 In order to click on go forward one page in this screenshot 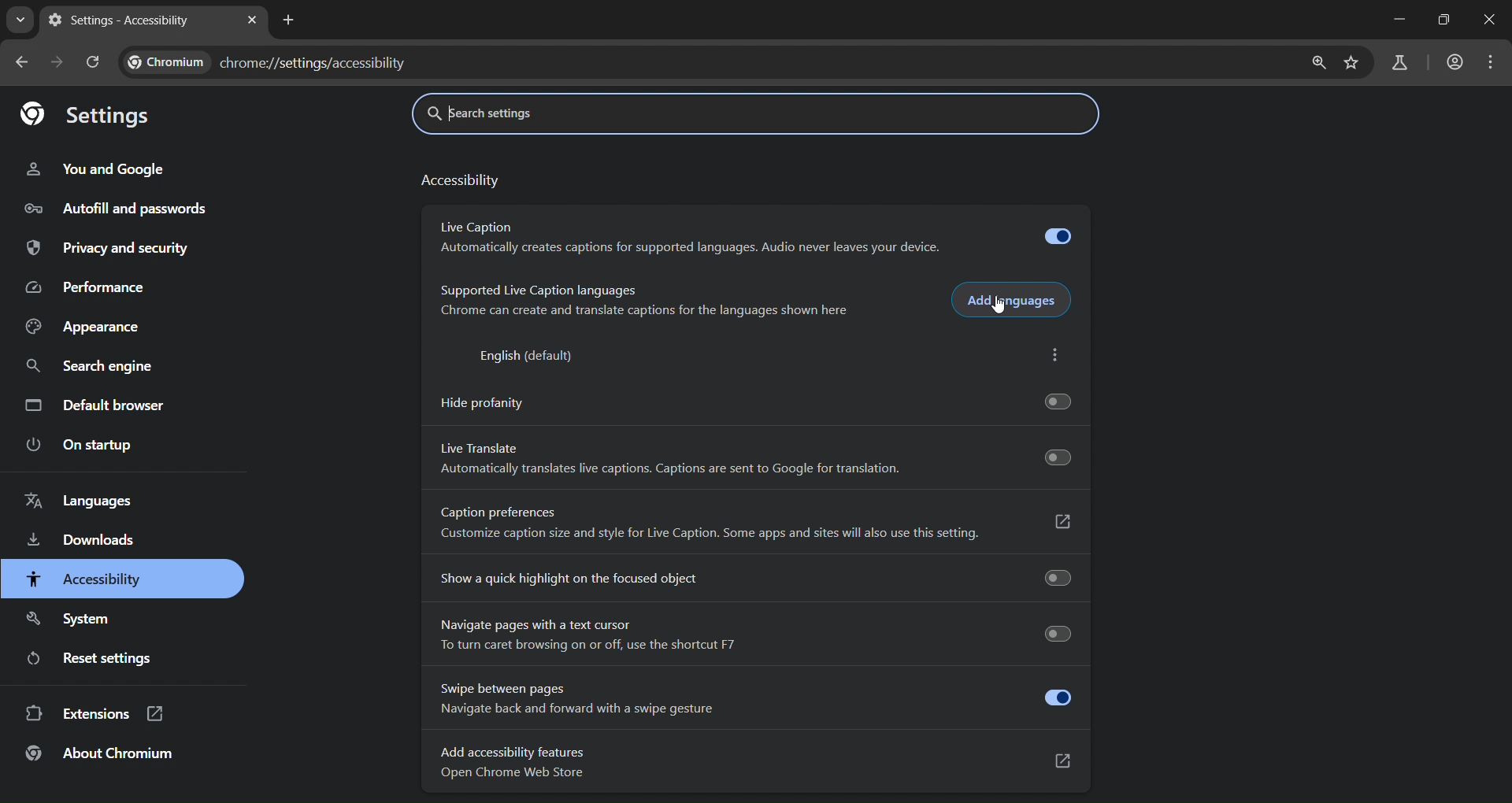, I will do `click(60, 63)`.